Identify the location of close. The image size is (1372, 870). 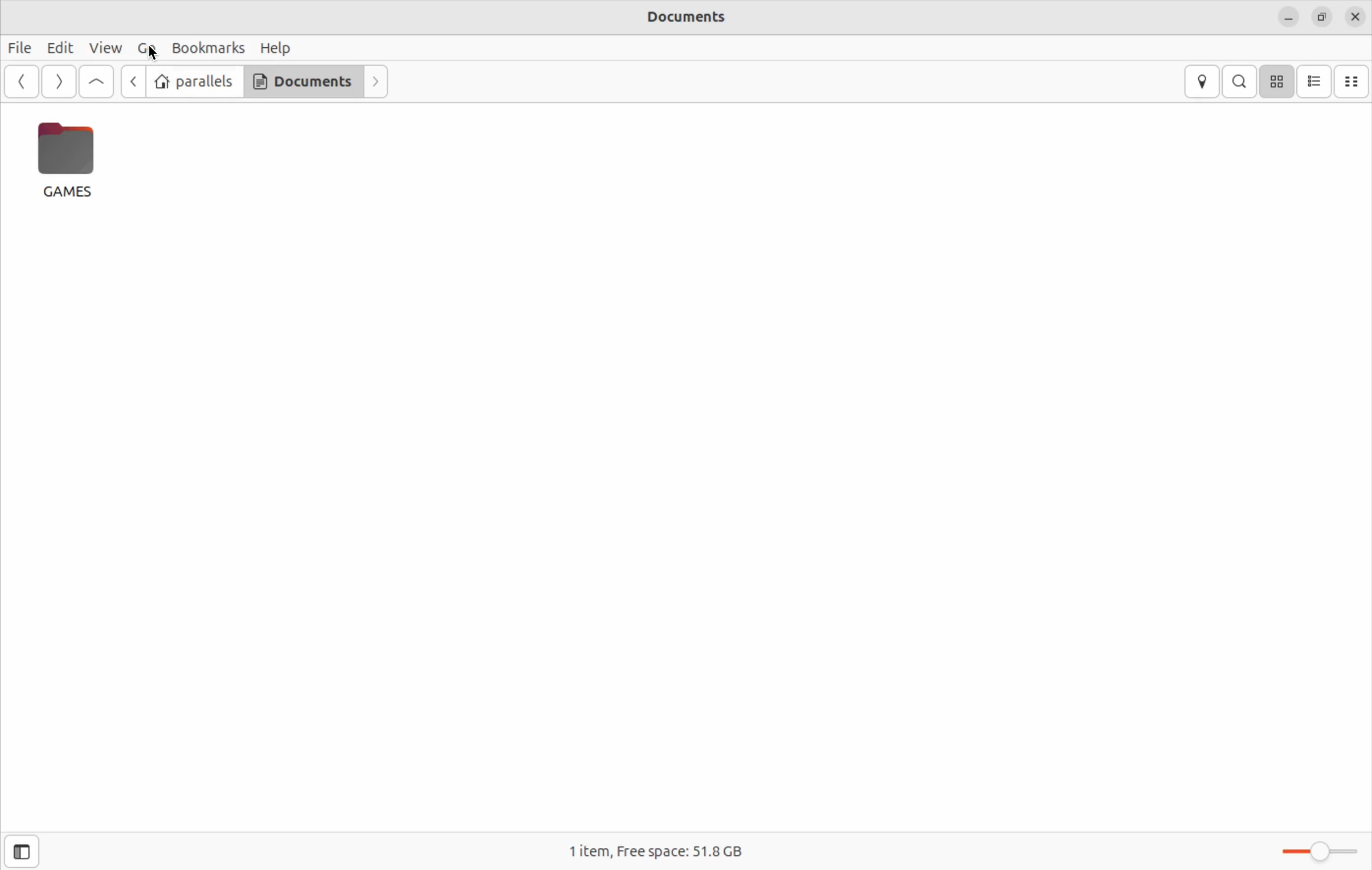
(1288, 15).